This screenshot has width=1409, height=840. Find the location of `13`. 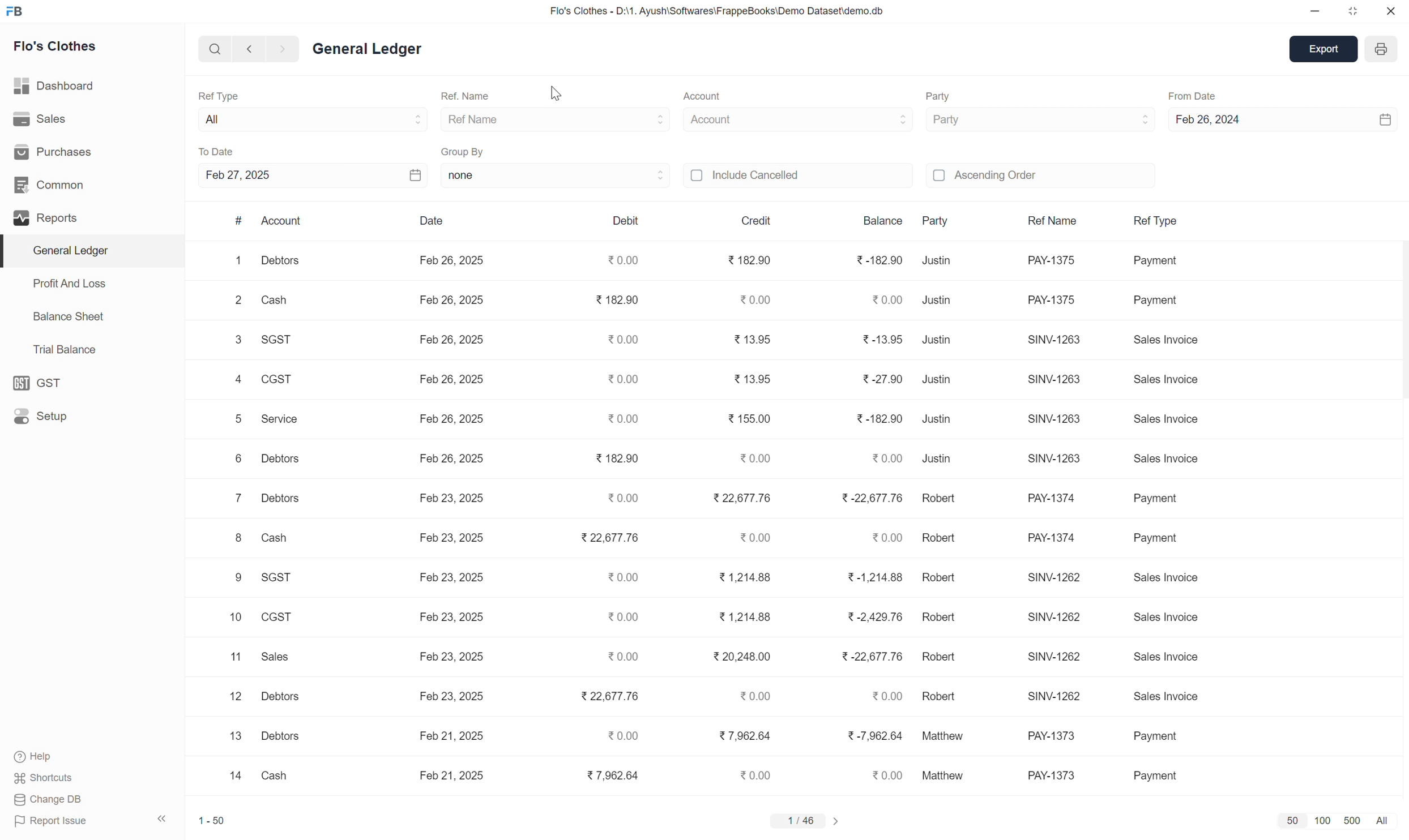

13 is located at coordinates (236, 736).